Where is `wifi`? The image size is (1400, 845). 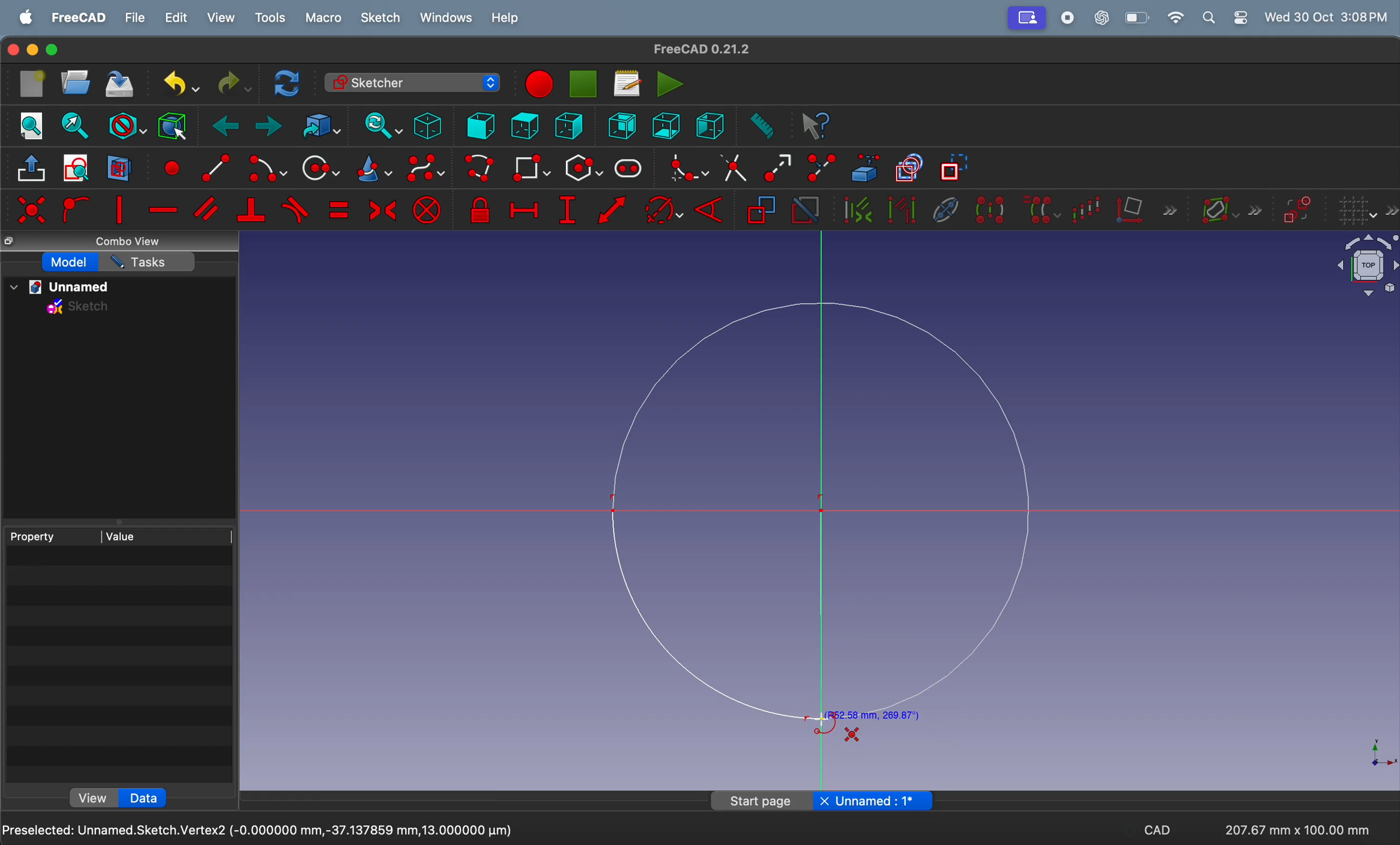 wifi is located at coordinates (1176, 18).